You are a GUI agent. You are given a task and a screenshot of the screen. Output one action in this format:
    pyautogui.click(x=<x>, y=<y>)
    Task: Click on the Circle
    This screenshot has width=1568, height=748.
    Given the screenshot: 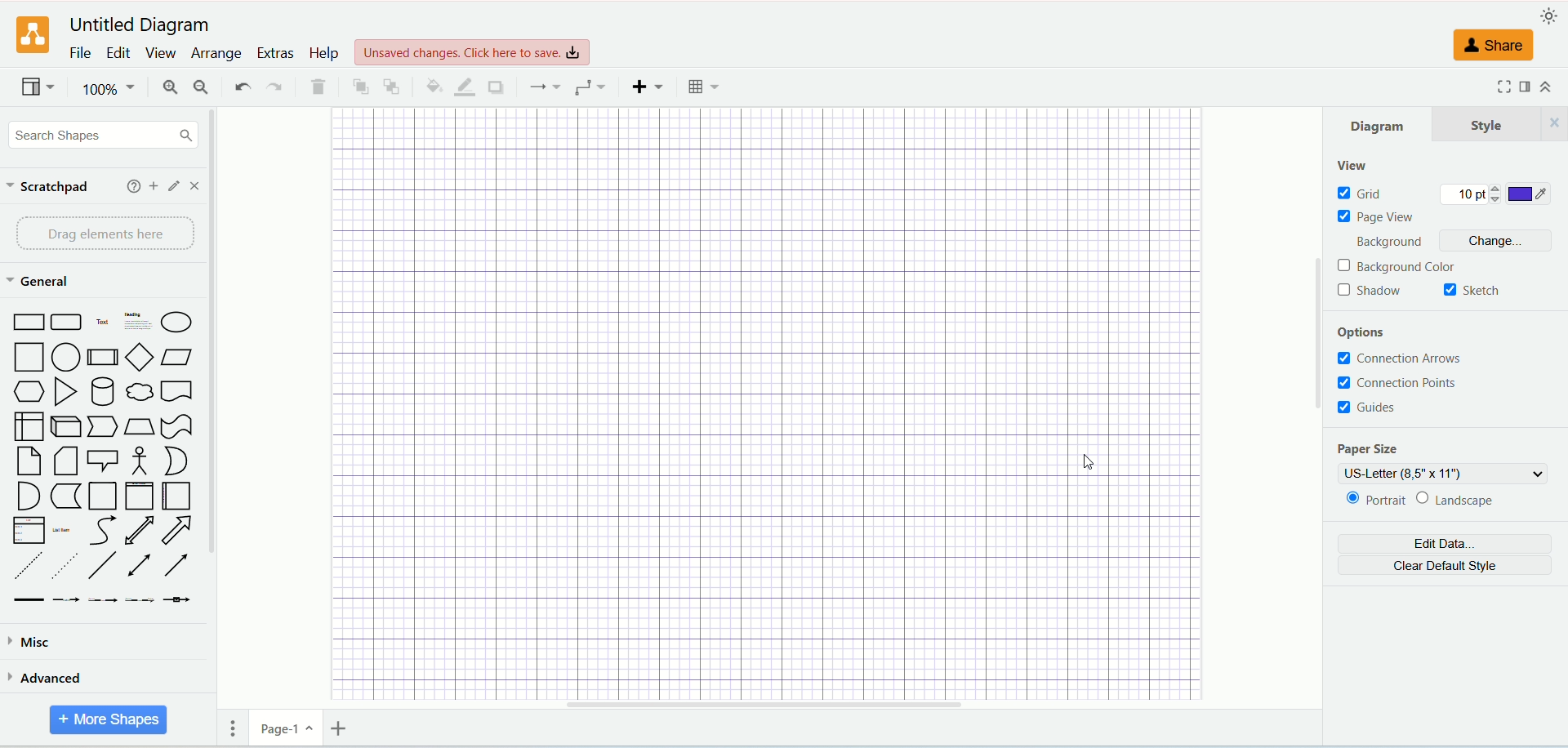 What is the action you would take?
    pyautogui.click(x=65, y=358)
    